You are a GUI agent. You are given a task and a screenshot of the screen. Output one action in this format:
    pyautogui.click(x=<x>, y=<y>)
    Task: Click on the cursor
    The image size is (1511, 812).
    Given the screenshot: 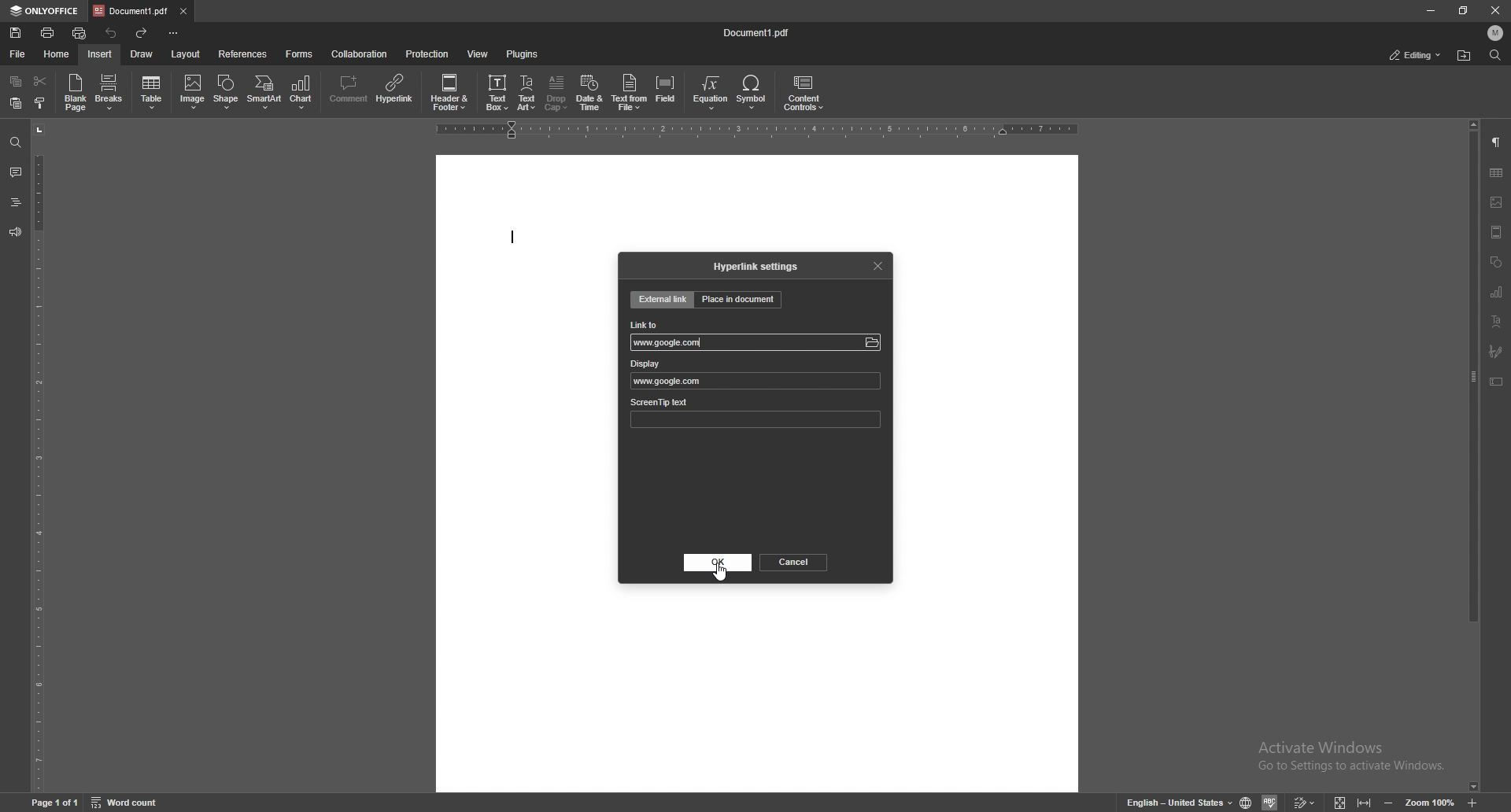 What is the action you would take?
    pyautogui.click(x=721, y=571)
    